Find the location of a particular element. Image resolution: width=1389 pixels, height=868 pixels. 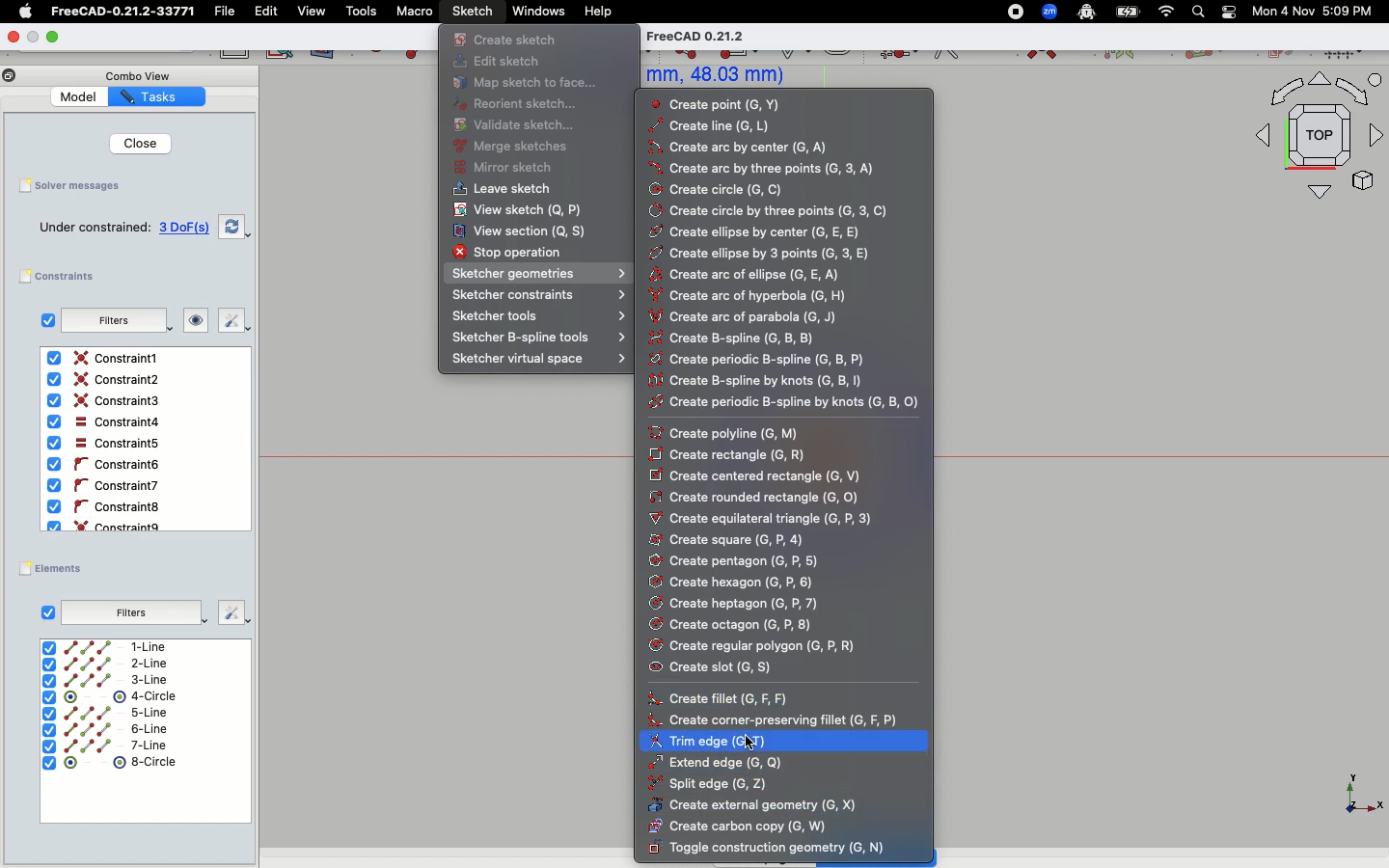

Constraint9 is located at coordinates (109, 525).